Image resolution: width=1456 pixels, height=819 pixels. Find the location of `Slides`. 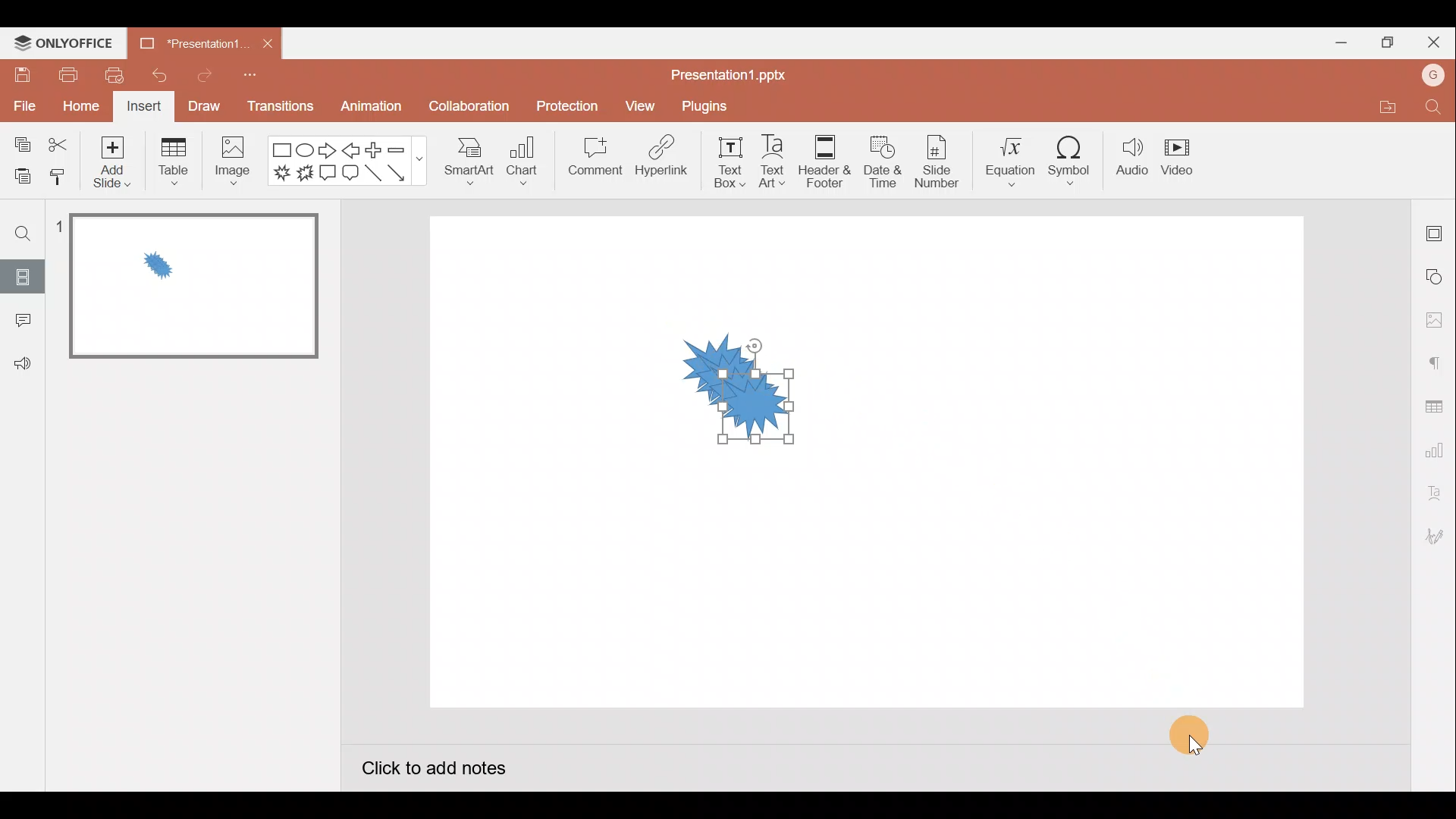

Slides is located at coordinates (21, 277).